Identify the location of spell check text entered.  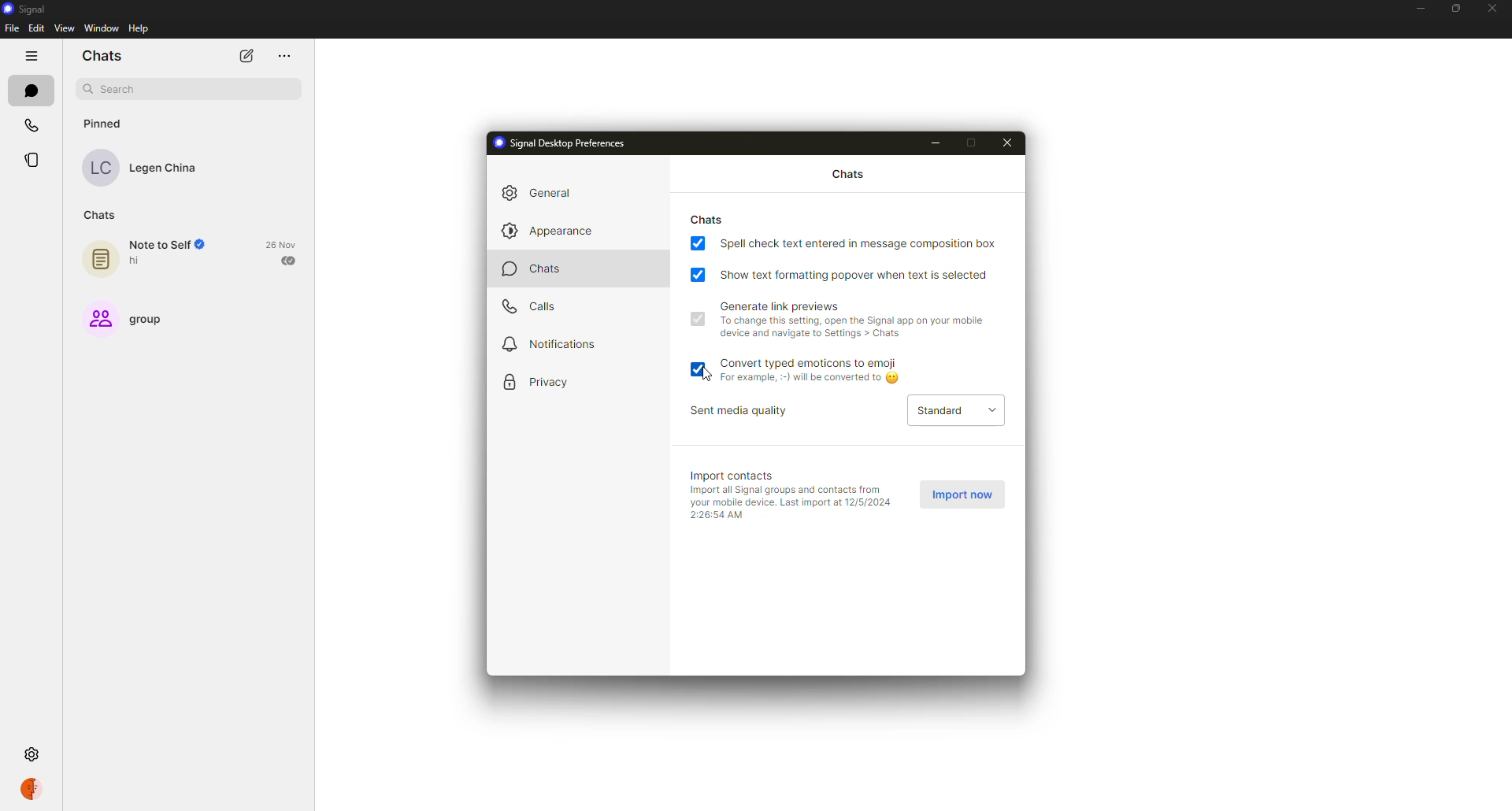
(861, 243).